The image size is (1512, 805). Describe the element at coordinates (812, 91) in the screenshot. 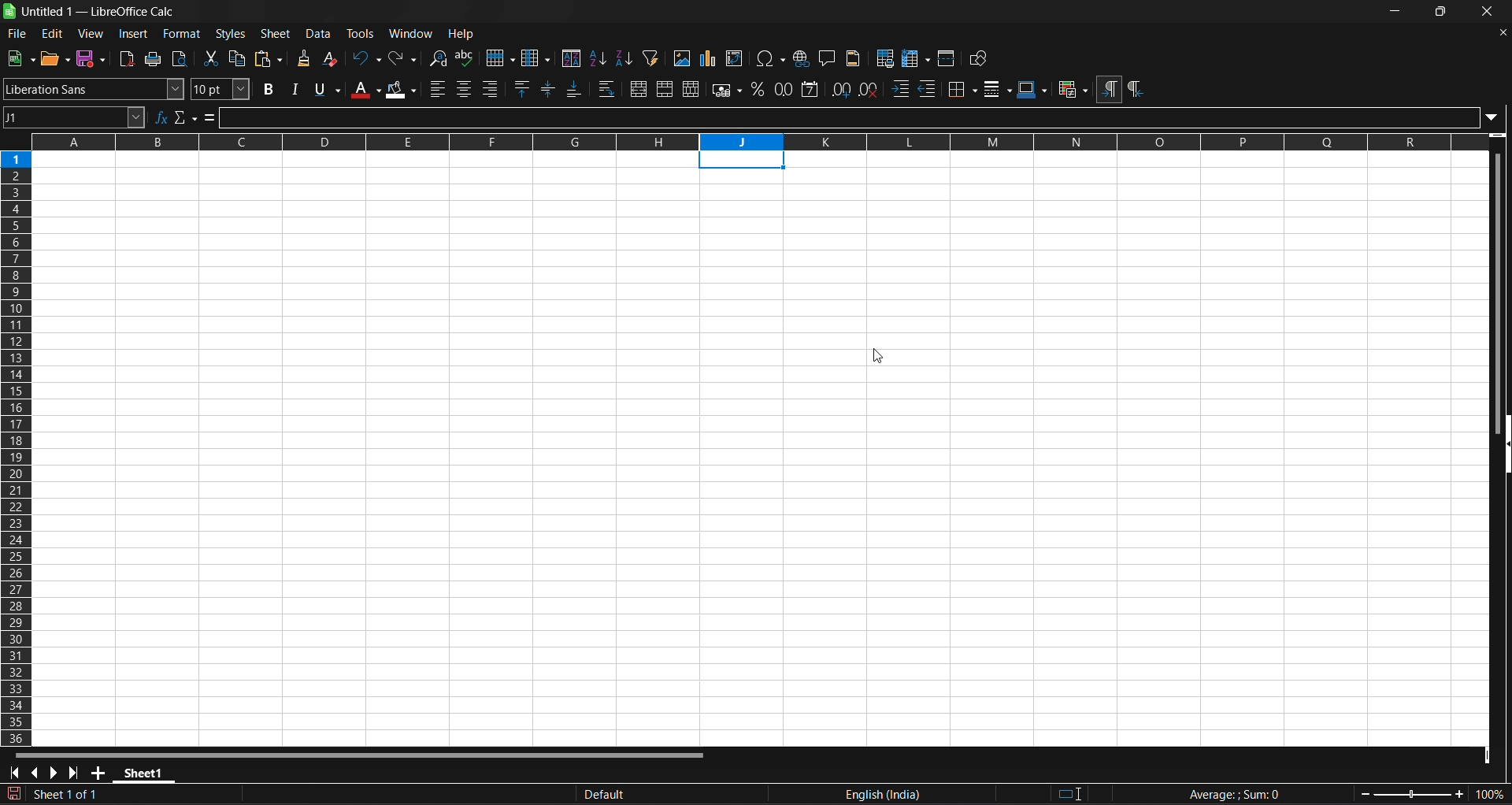

I see `format as date` at that location.